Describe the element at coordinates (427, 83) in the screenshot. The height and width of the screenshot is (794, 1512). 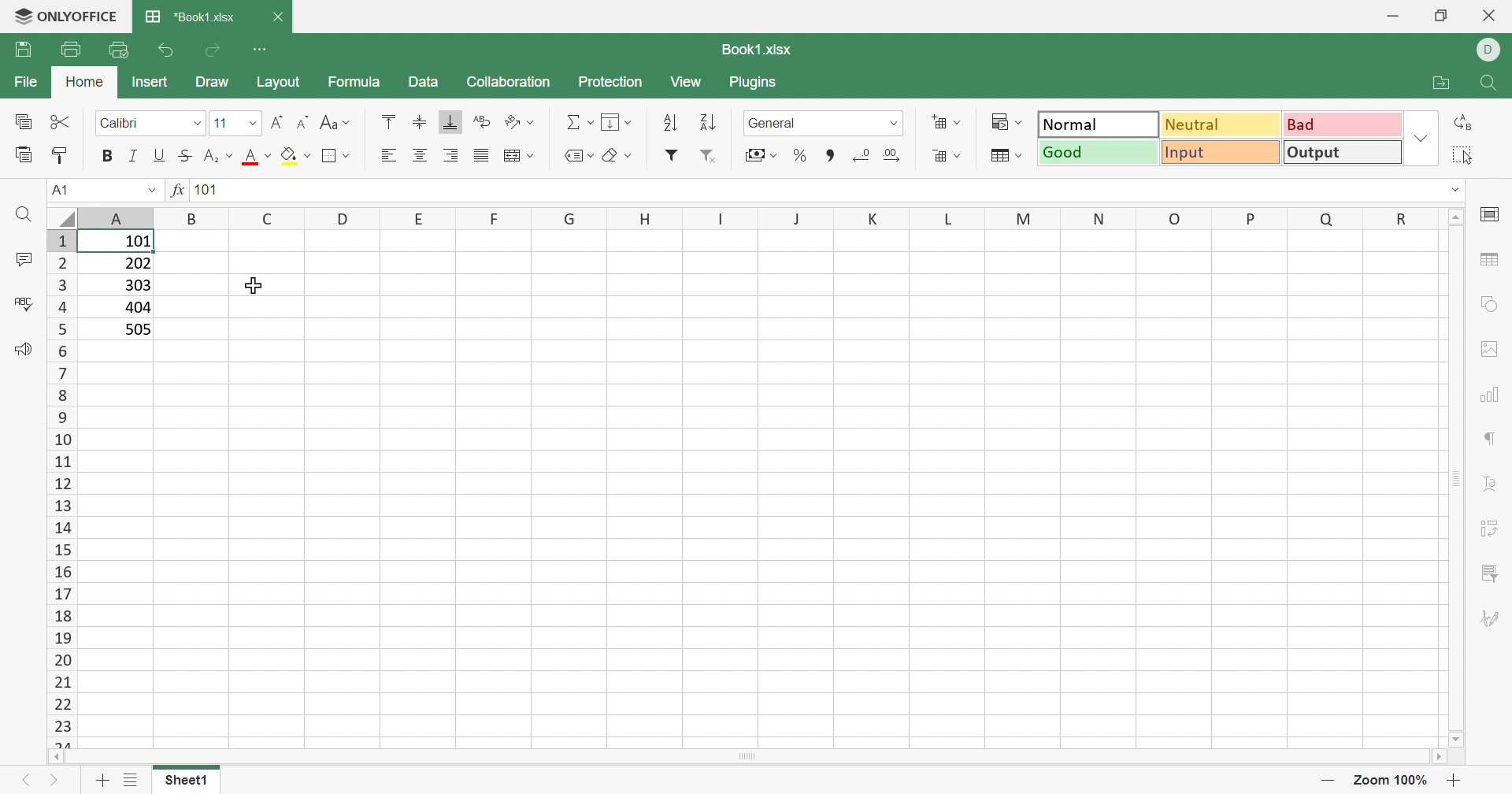
I see `Data` at that location.